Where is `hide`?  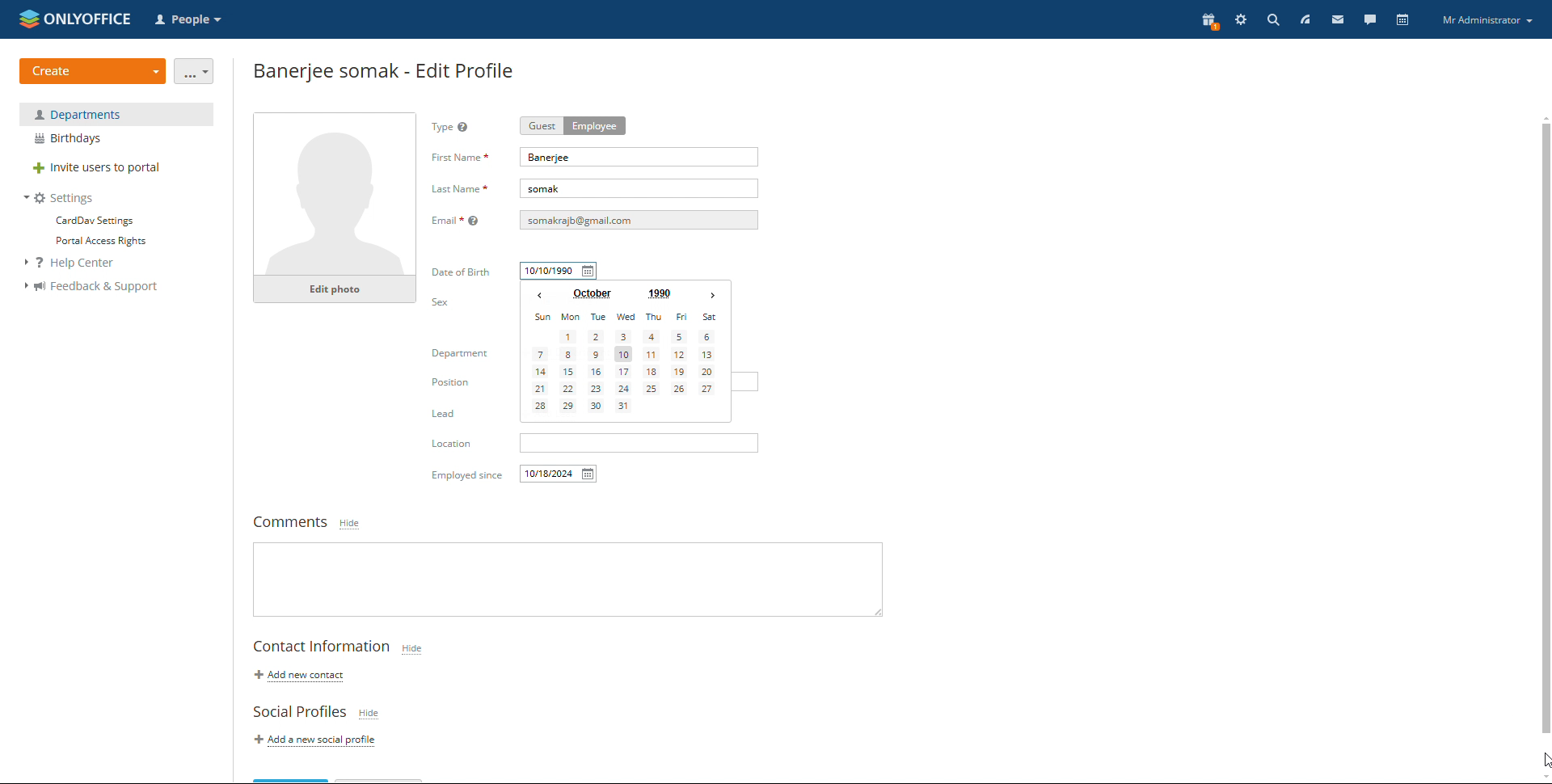 hide is located at coordinates (413, 649).